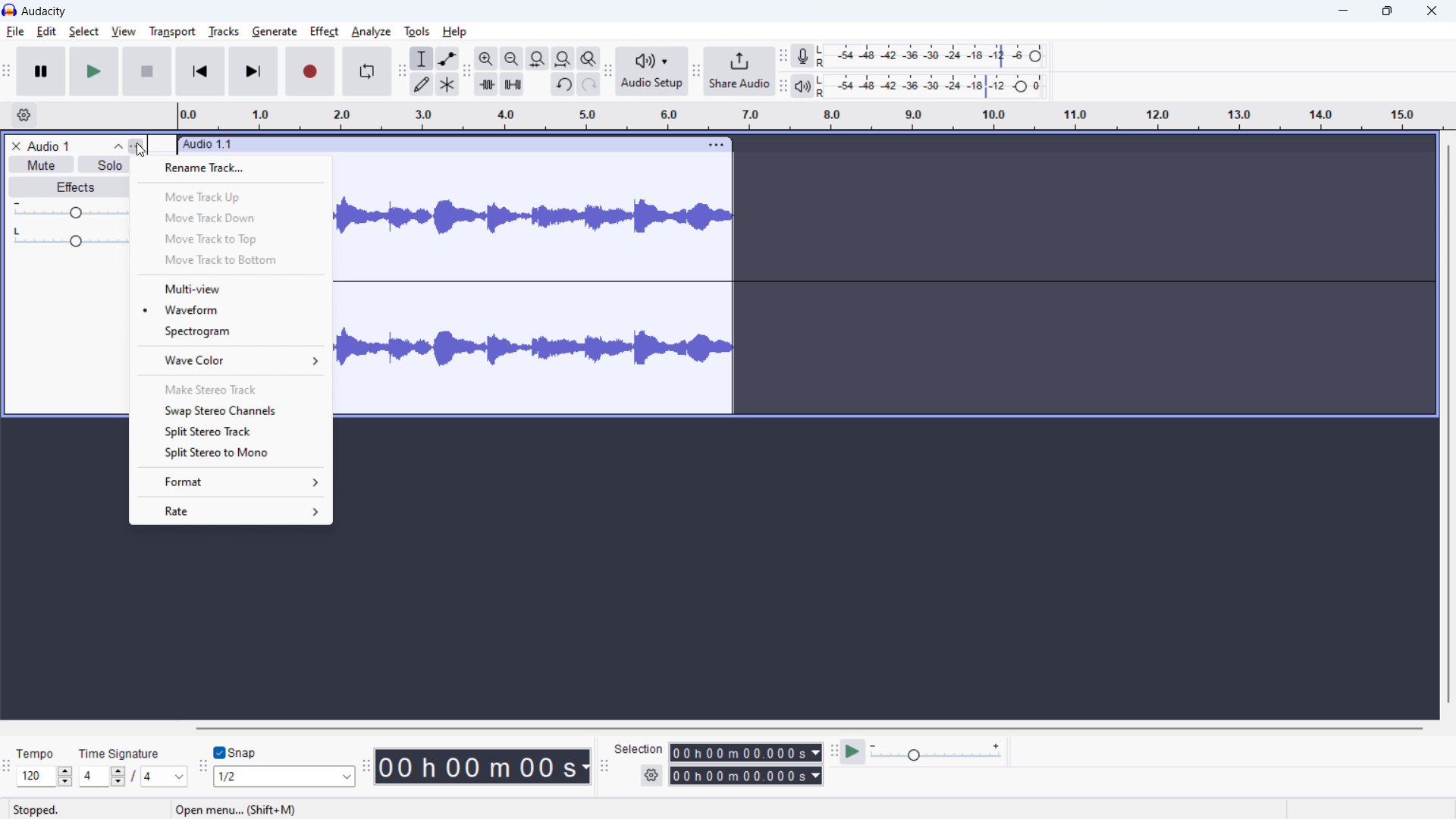  I want to click on start time, so click(746, 753).